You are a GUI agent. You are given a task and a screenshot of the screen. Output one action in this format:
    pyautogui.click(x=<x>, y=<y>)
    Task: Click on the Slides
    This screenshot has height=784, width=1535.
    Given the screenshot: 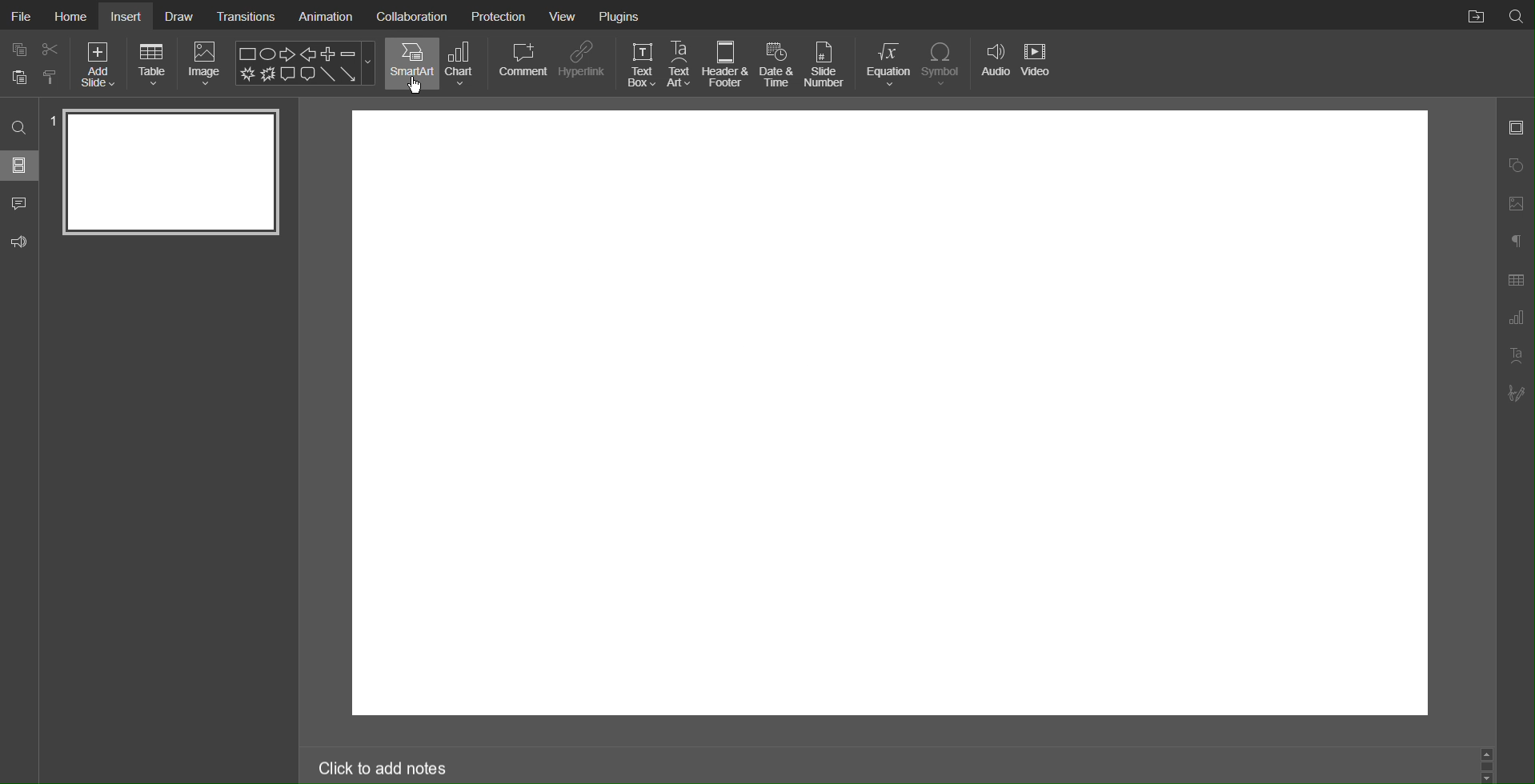 What is the action you would take?
    pyautogui.click(x=22, y=166)
    